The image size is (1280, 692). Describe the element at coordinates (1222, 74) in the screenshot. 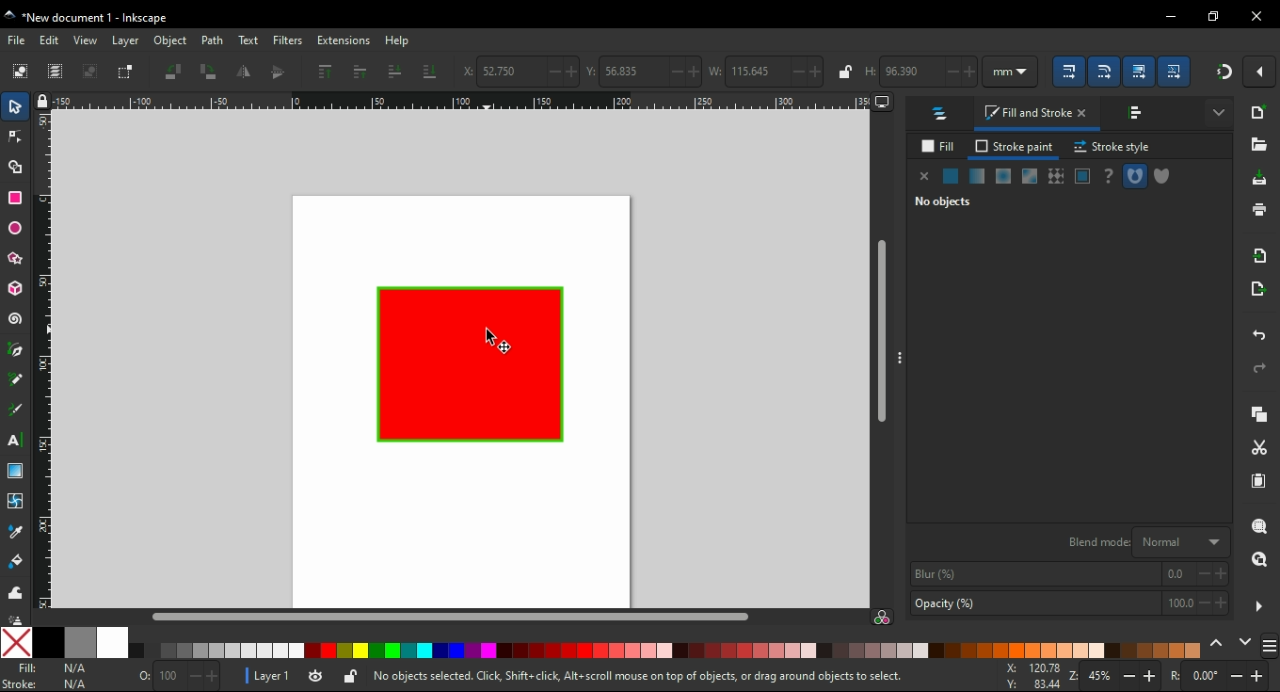

I see `snap` at that location.